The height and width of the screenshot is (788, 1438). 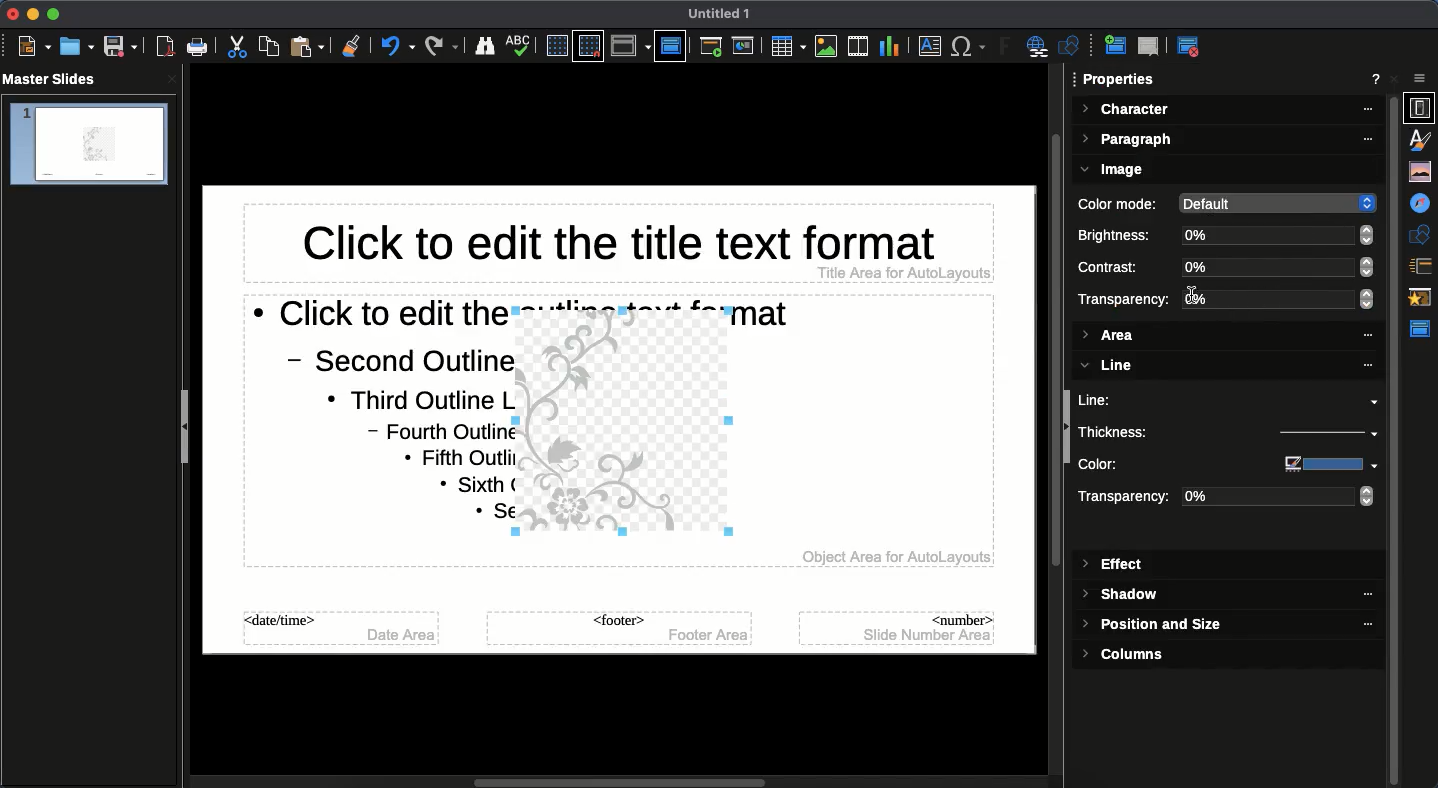 What do you see at coordinates (1422, 234) in the screenshot?
I see `Shapes` at bounding box center [1422, 234].